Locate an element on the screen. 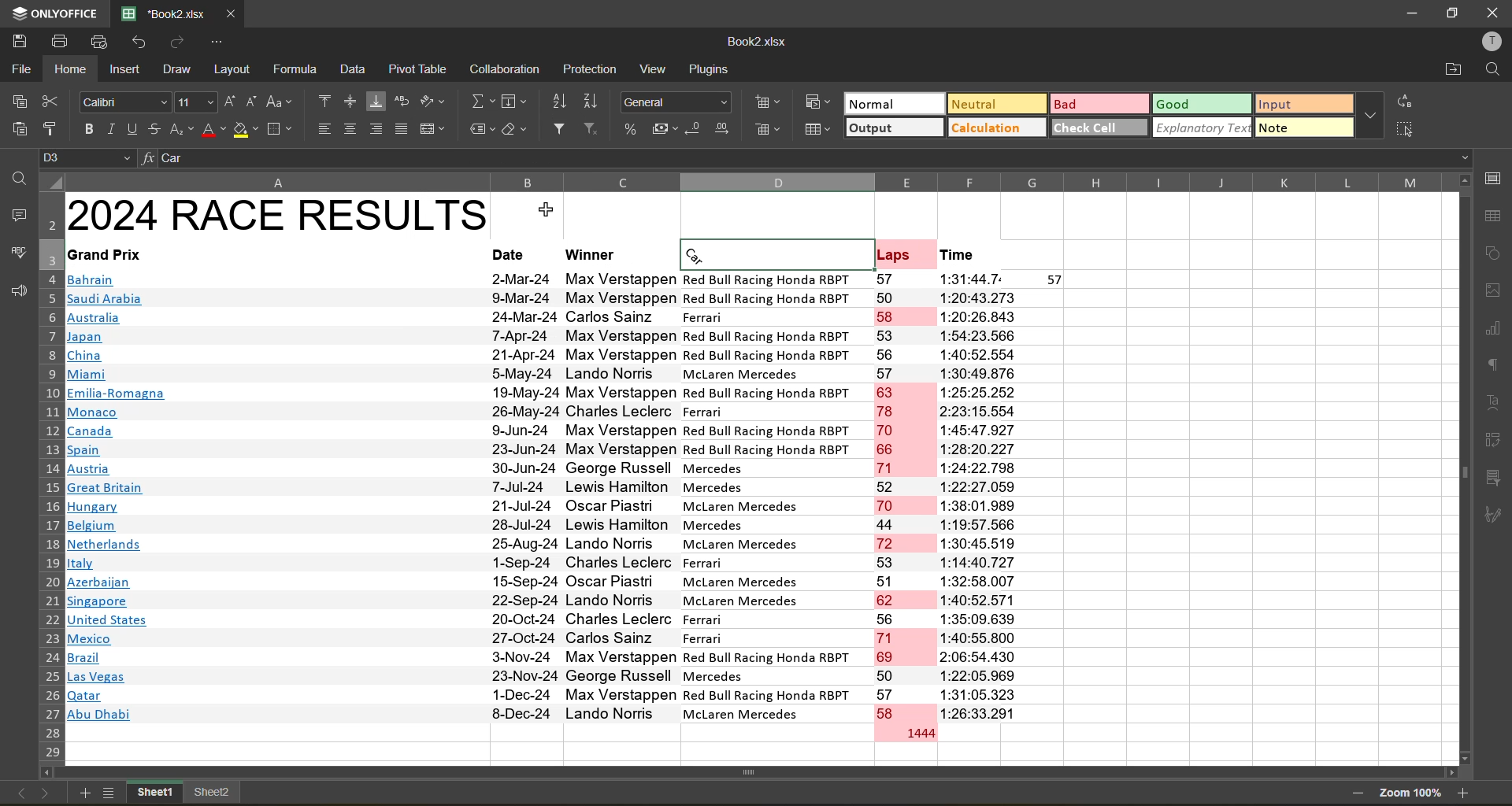  insert is located at coordinates (124, 68).